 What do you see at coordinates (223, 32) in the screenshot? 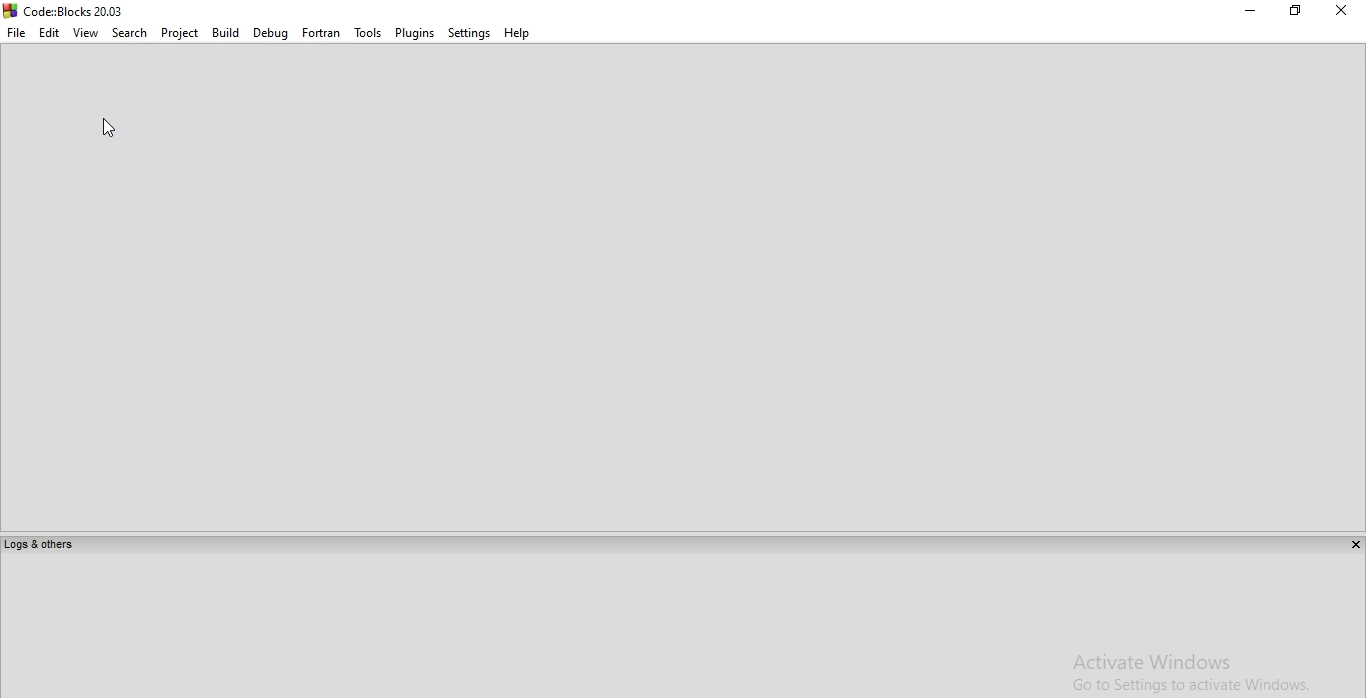
I see `Build ` at bounding box center [223, 32].